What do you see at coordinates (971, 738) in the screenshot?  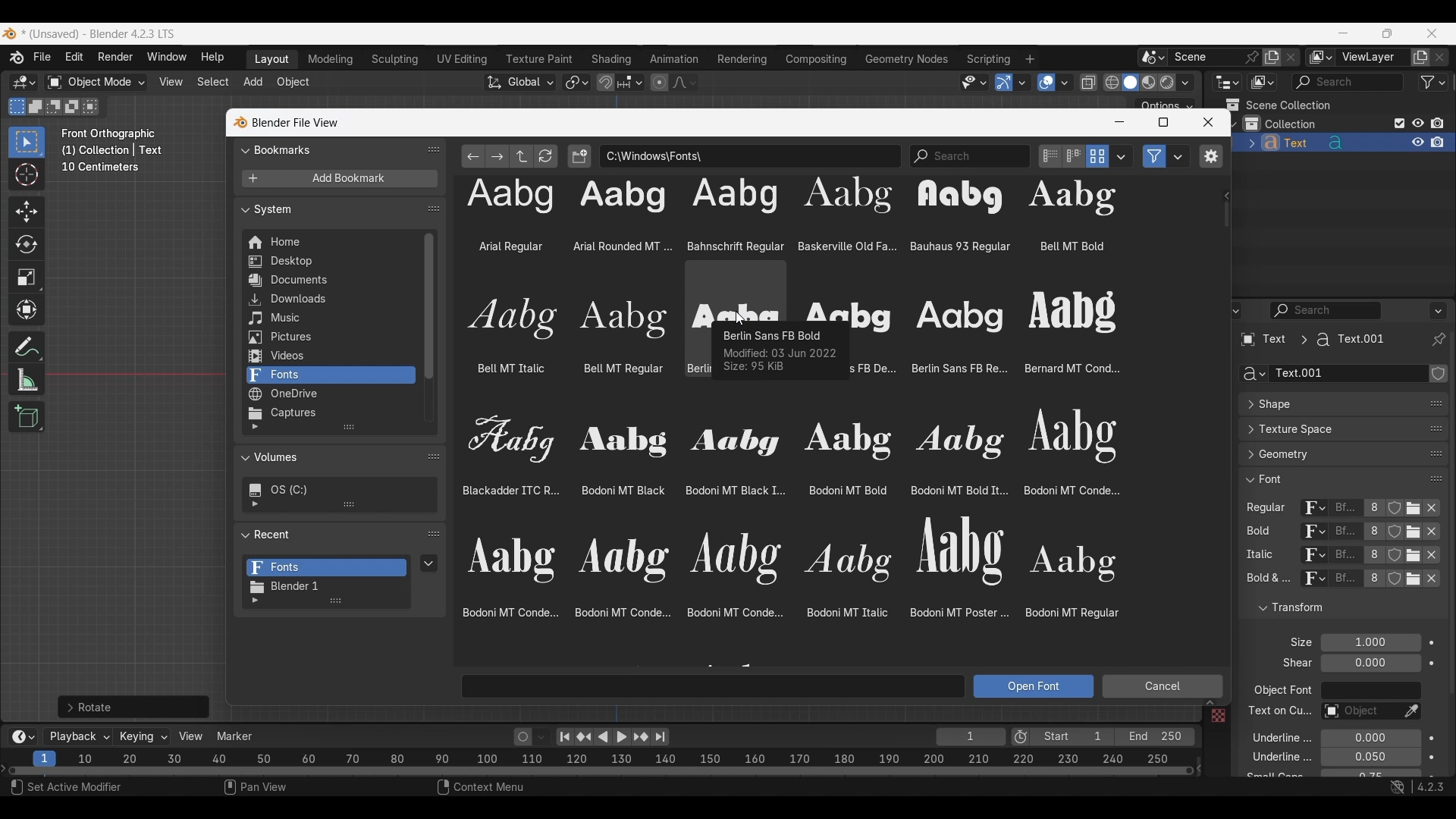 I see `Current frame` at bounding box center [971, 738].